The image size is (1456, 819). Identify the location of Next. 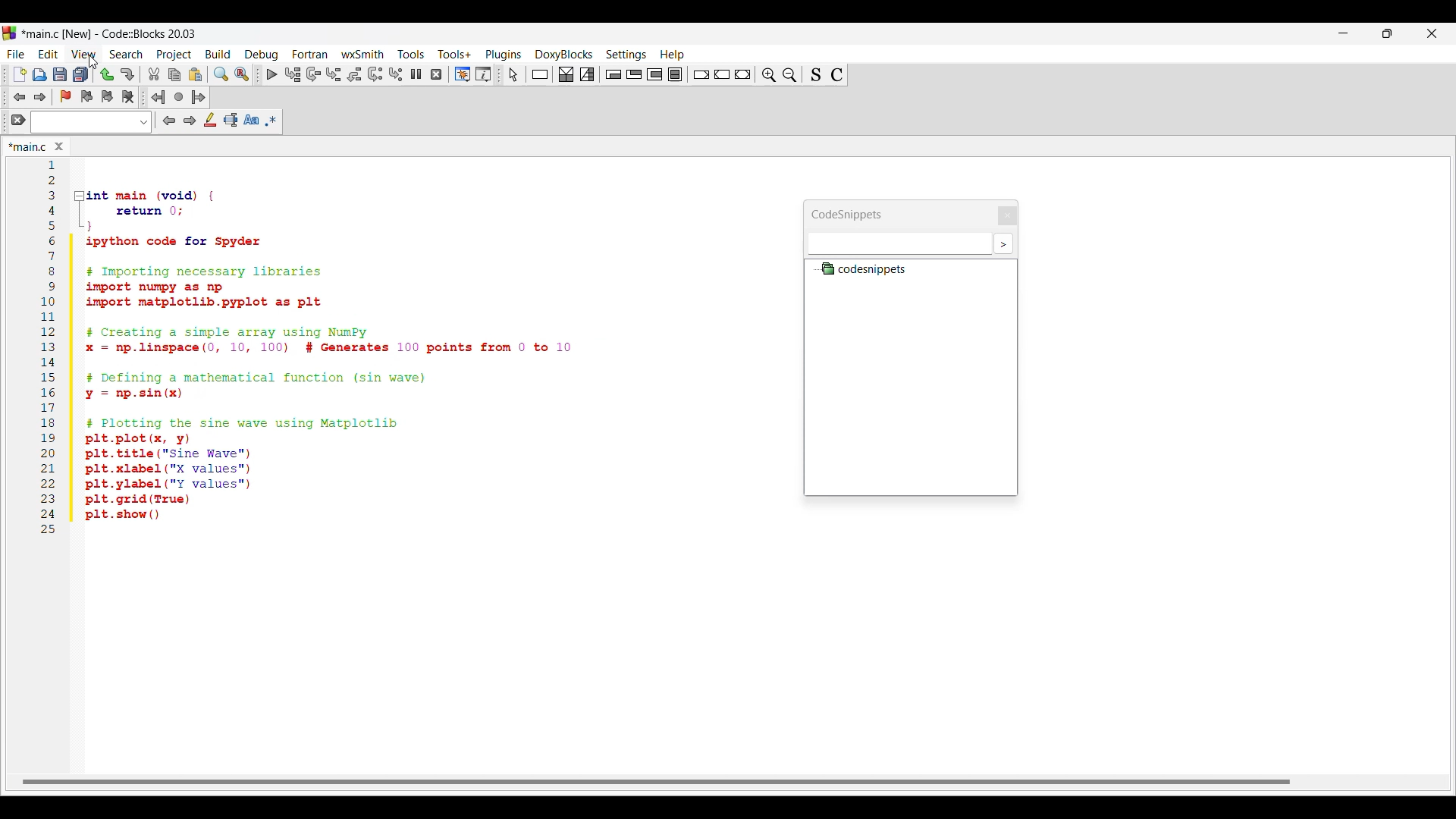
(190, 120).